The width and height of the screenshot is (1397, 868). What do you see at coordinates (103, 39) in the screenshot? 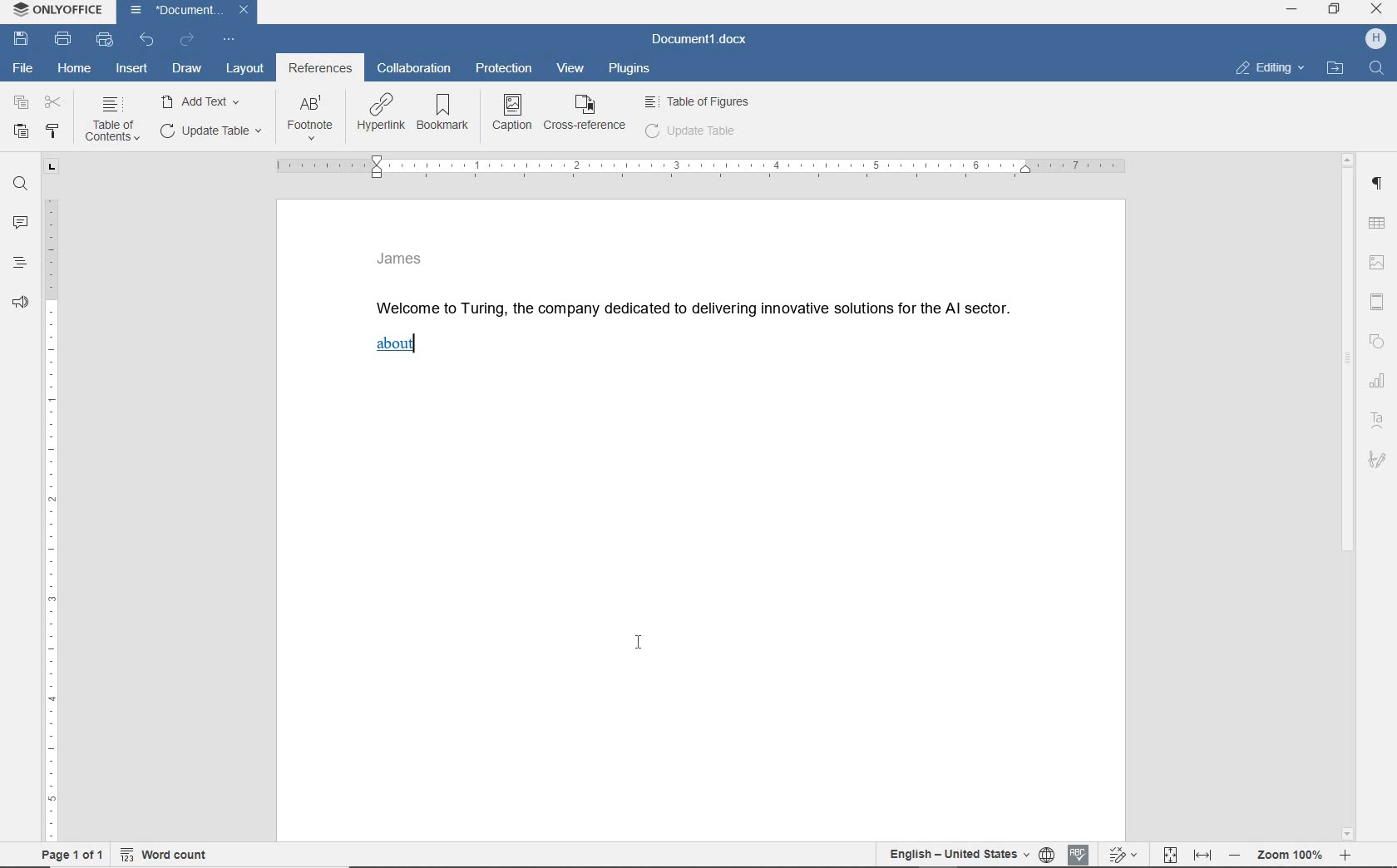
I see `quick print` at bounding box center [103, 39].